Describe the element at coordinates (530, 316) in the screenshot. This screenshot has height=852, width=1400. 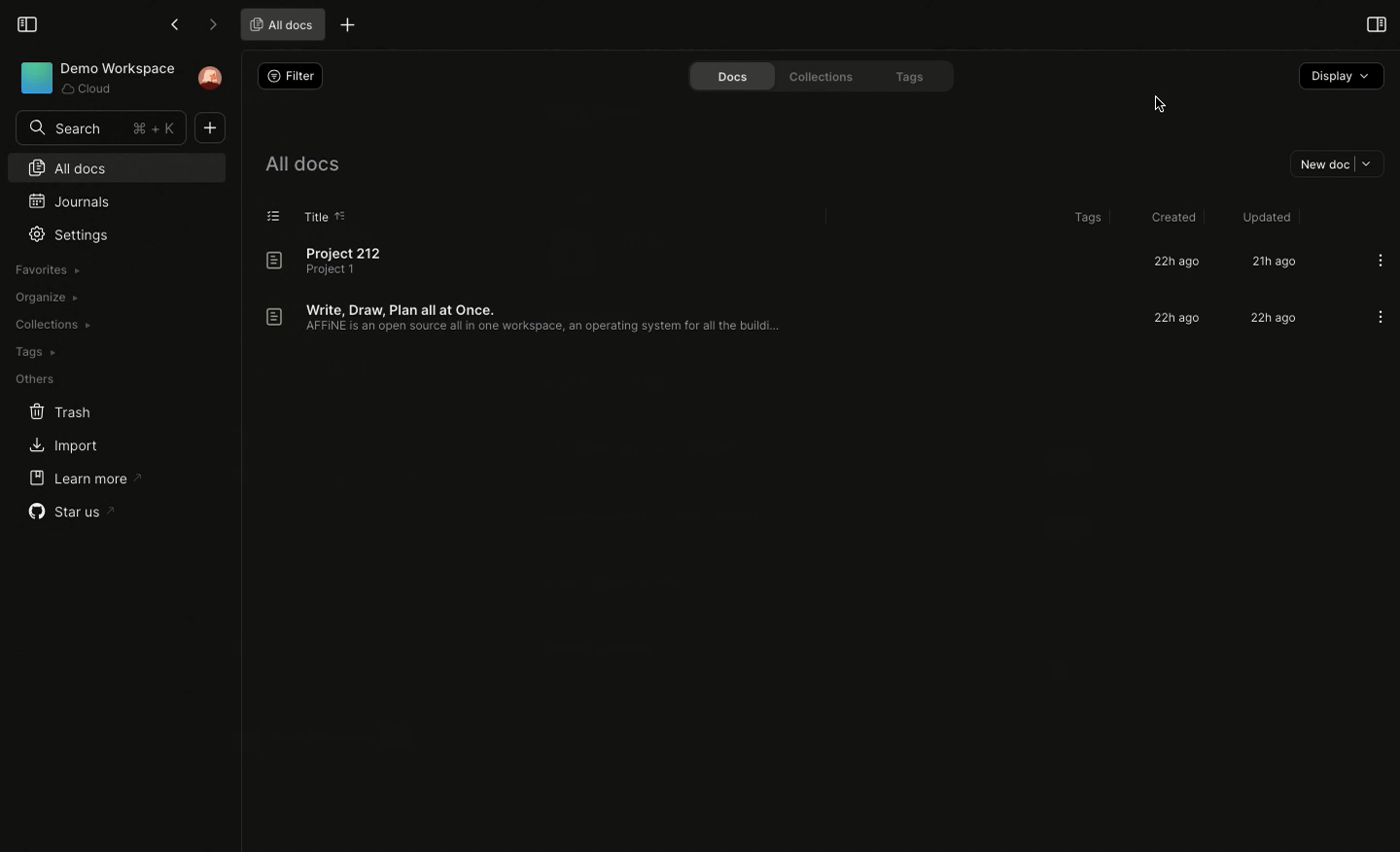
I see `Write, draw, plan all at once` at that location.